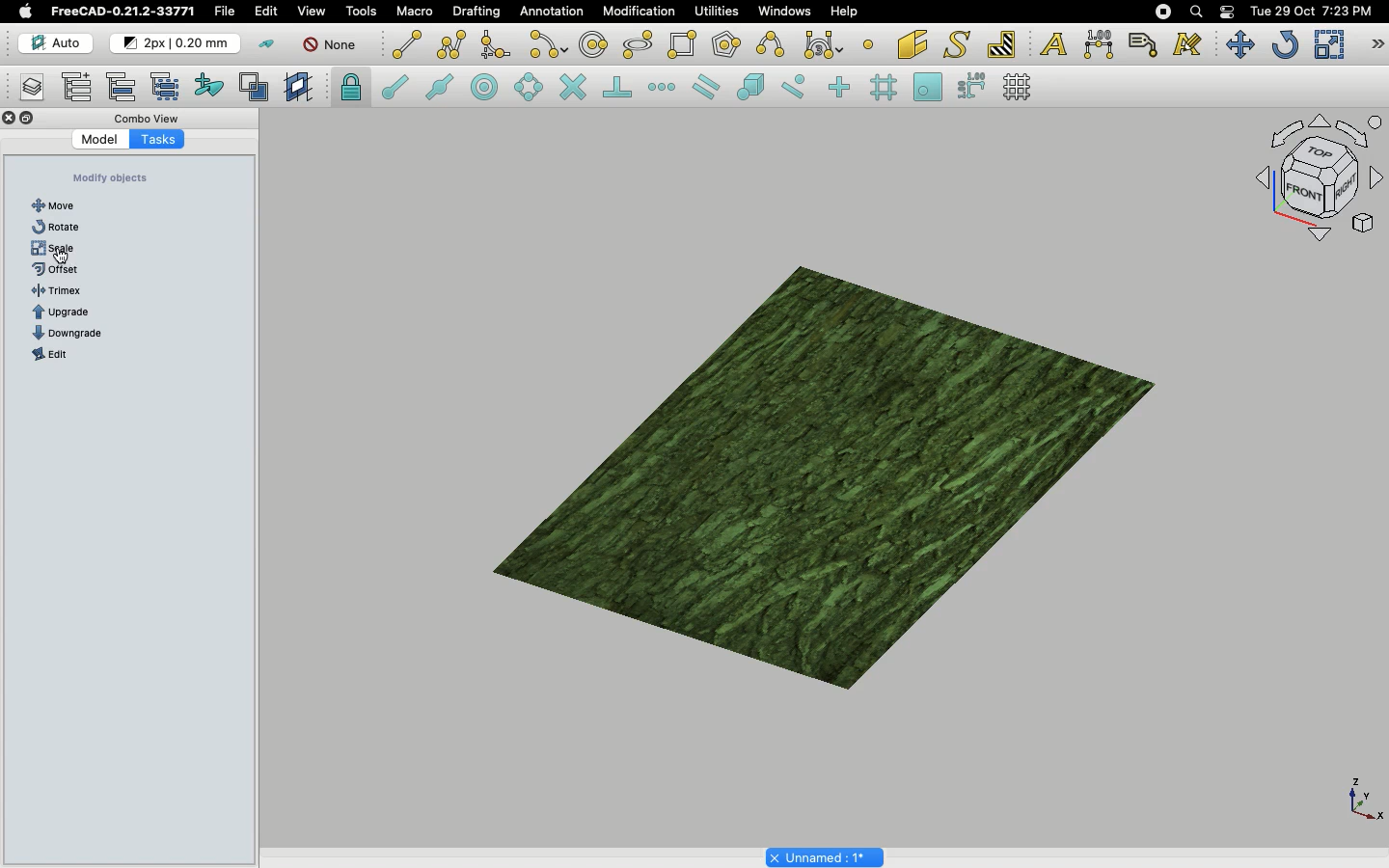  I want to click on Polygon, so click(724, 45).